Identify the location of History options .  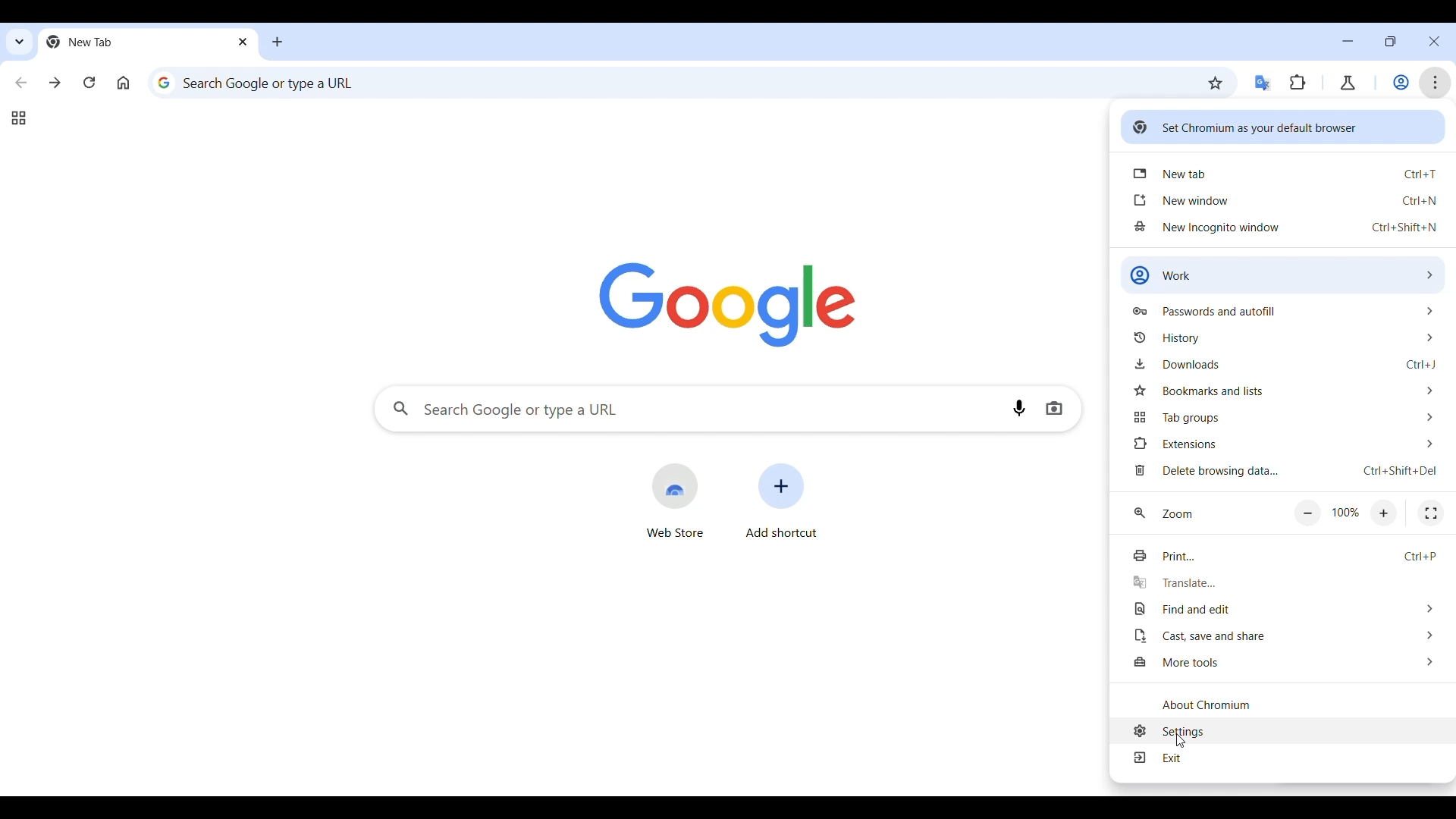
(1283, 337).